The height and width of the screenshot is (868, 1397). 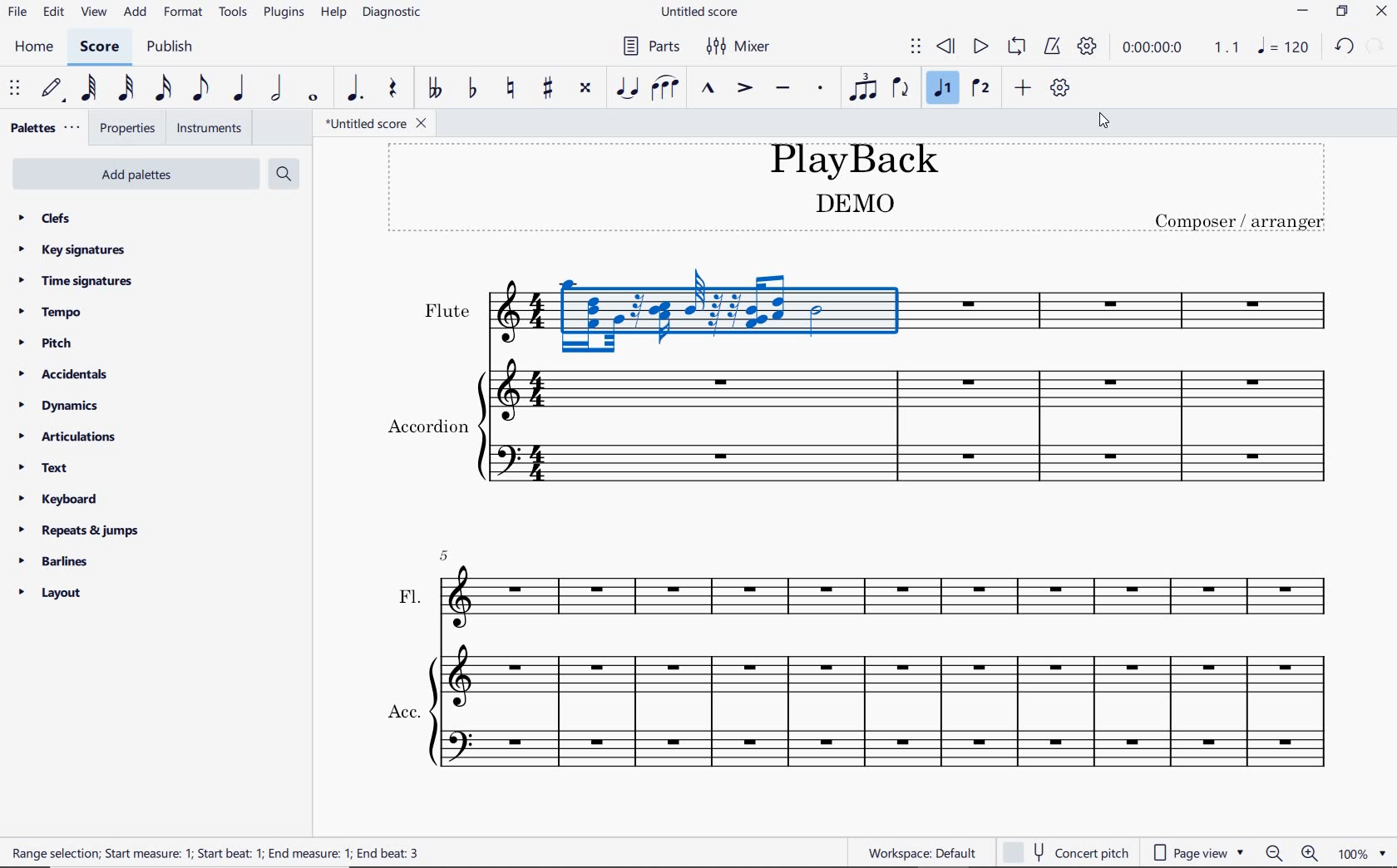 I want to click on metronome, so click(x=1054, y=47).